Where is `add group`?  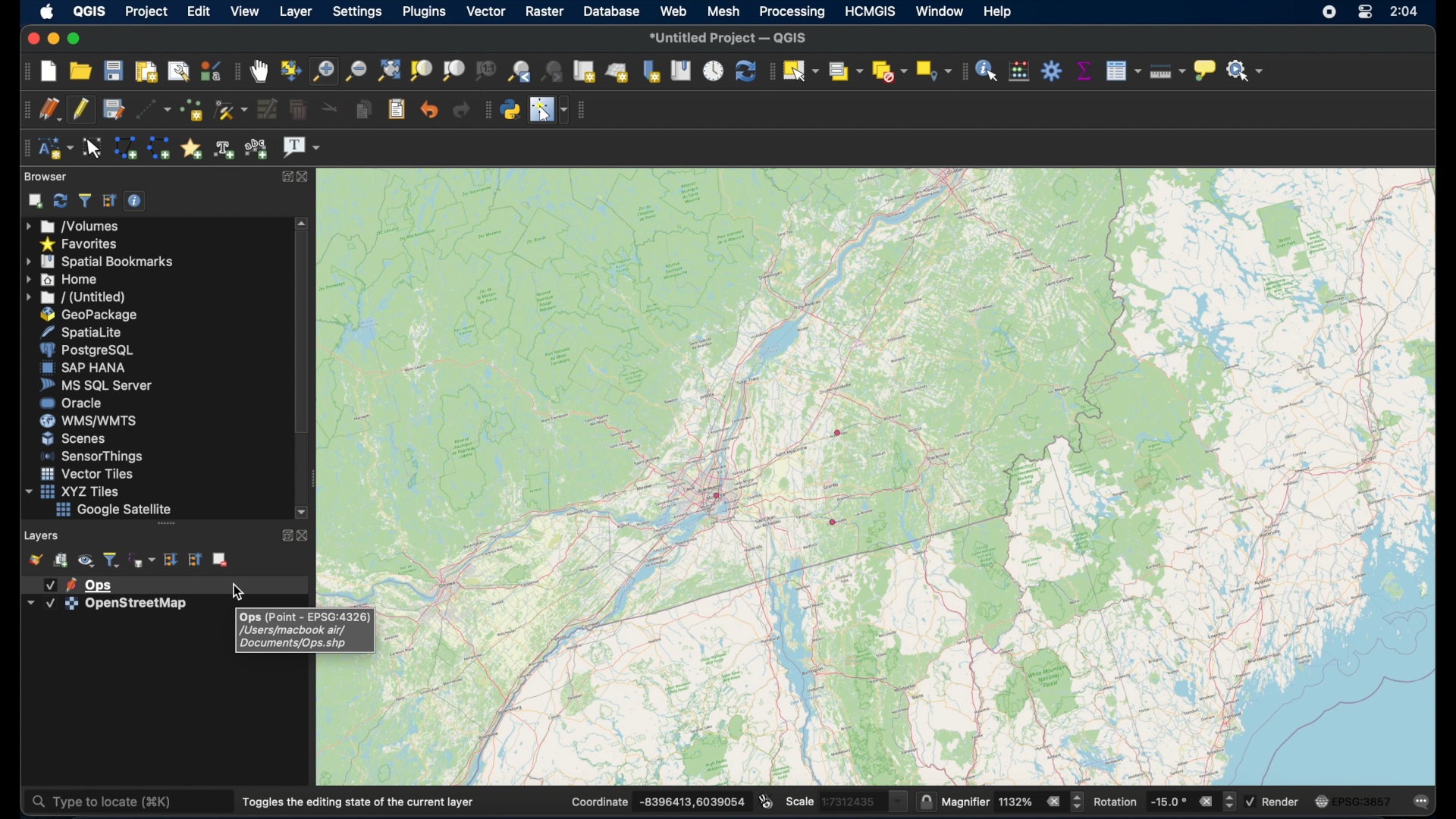 add group is located at coordinates (60, 560).